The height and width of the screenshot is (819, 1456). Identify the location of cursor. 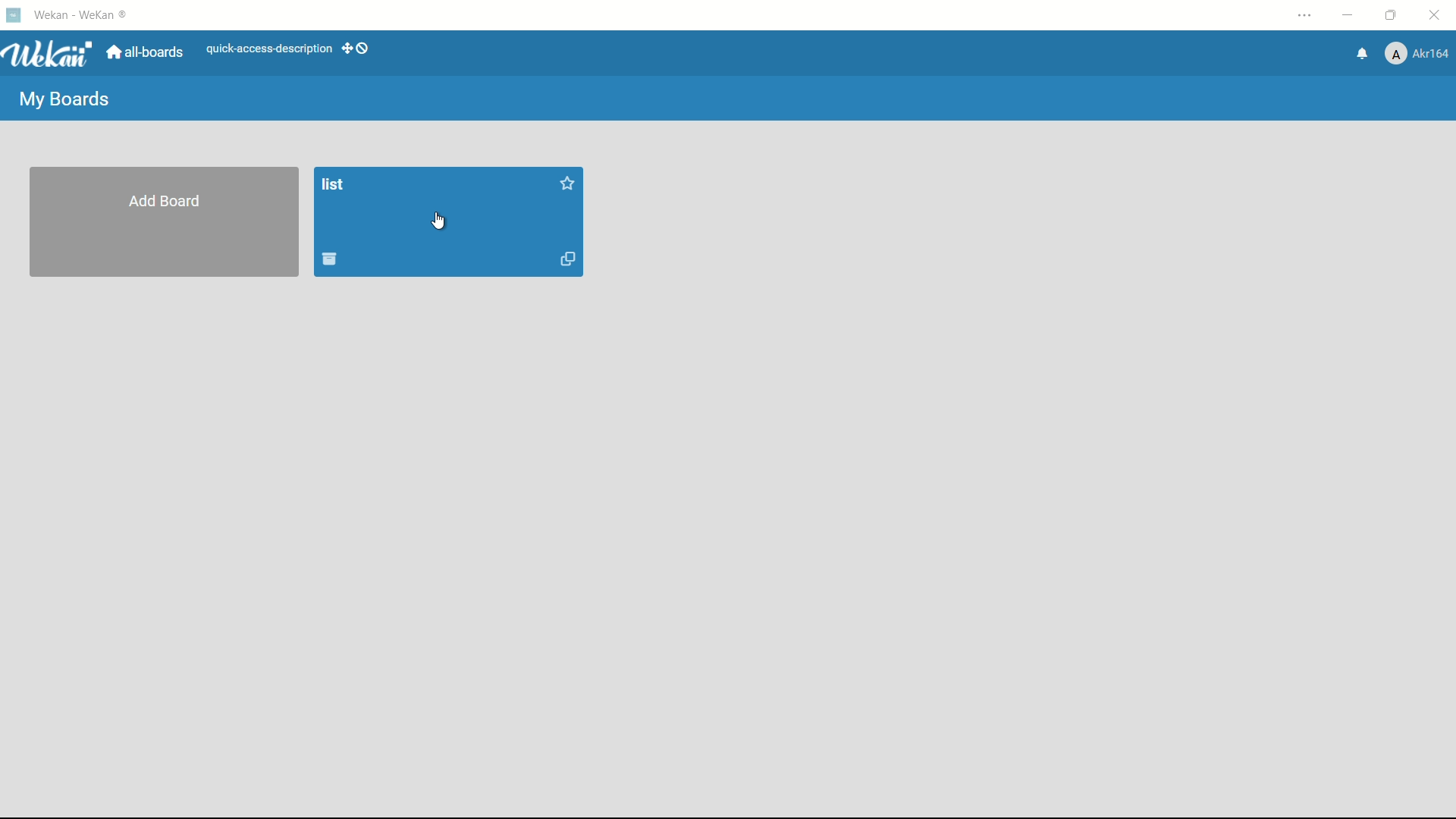
(439, 222).